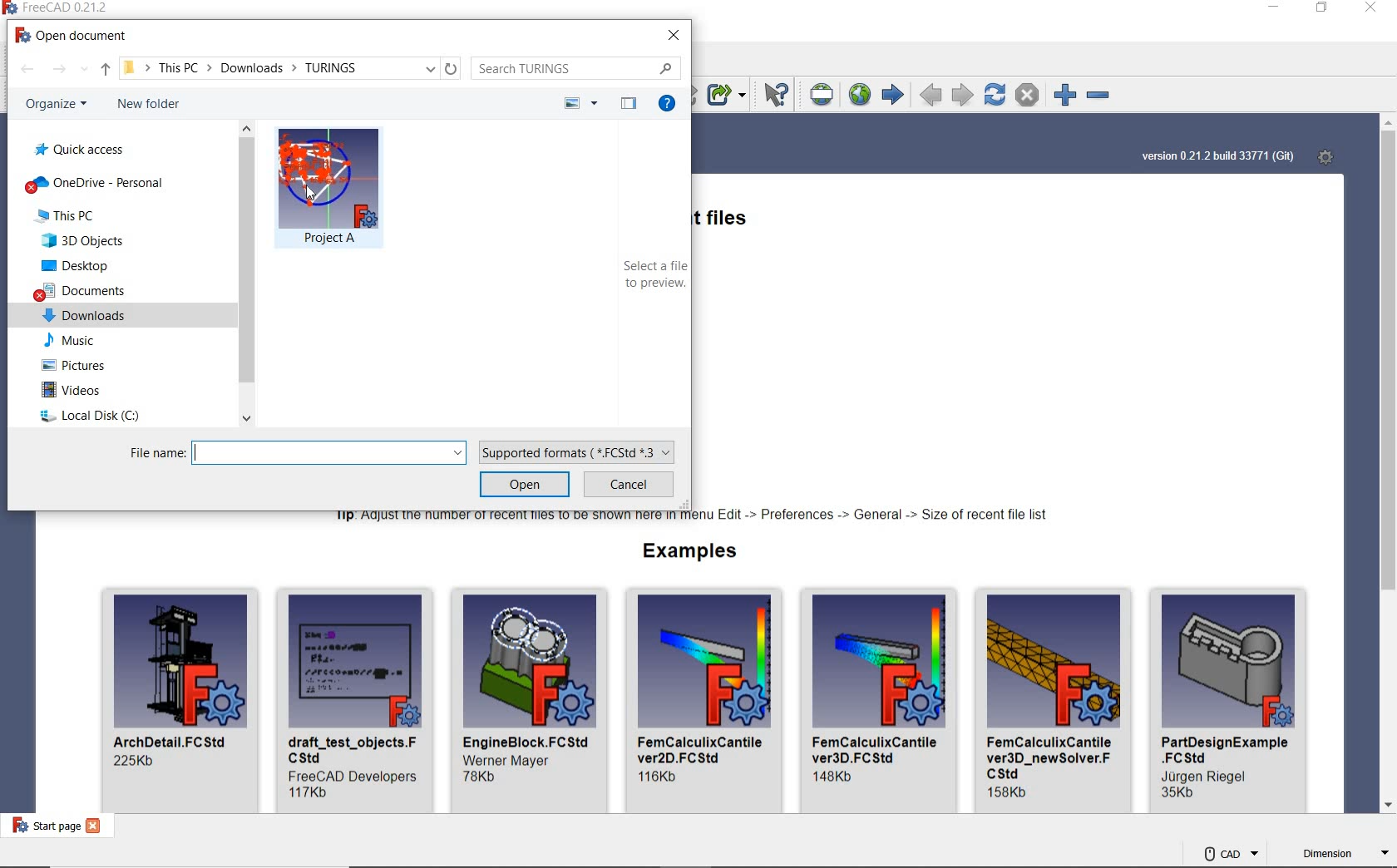  Describe the element at coordinates (1027, 95) in the screenshot. I see `STOP LOADING` at that location.